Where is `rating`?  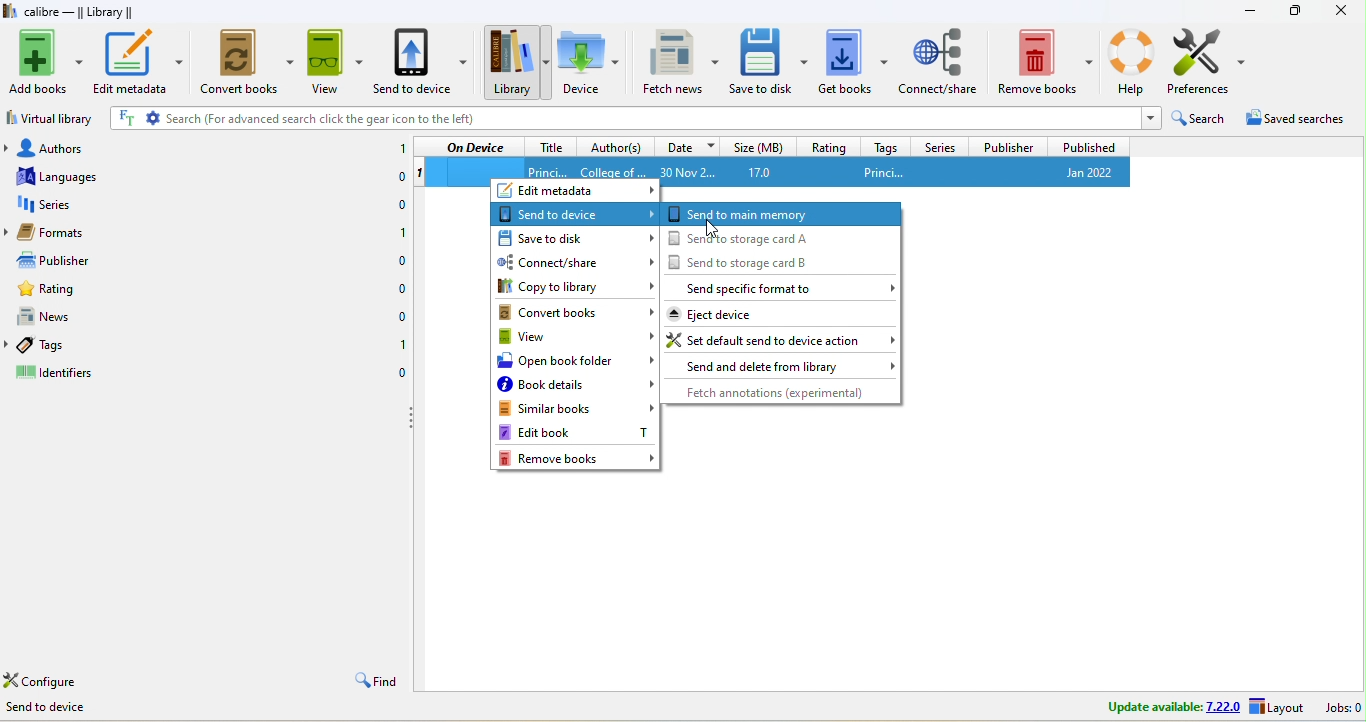 rating is located at coordinates (61, 290).